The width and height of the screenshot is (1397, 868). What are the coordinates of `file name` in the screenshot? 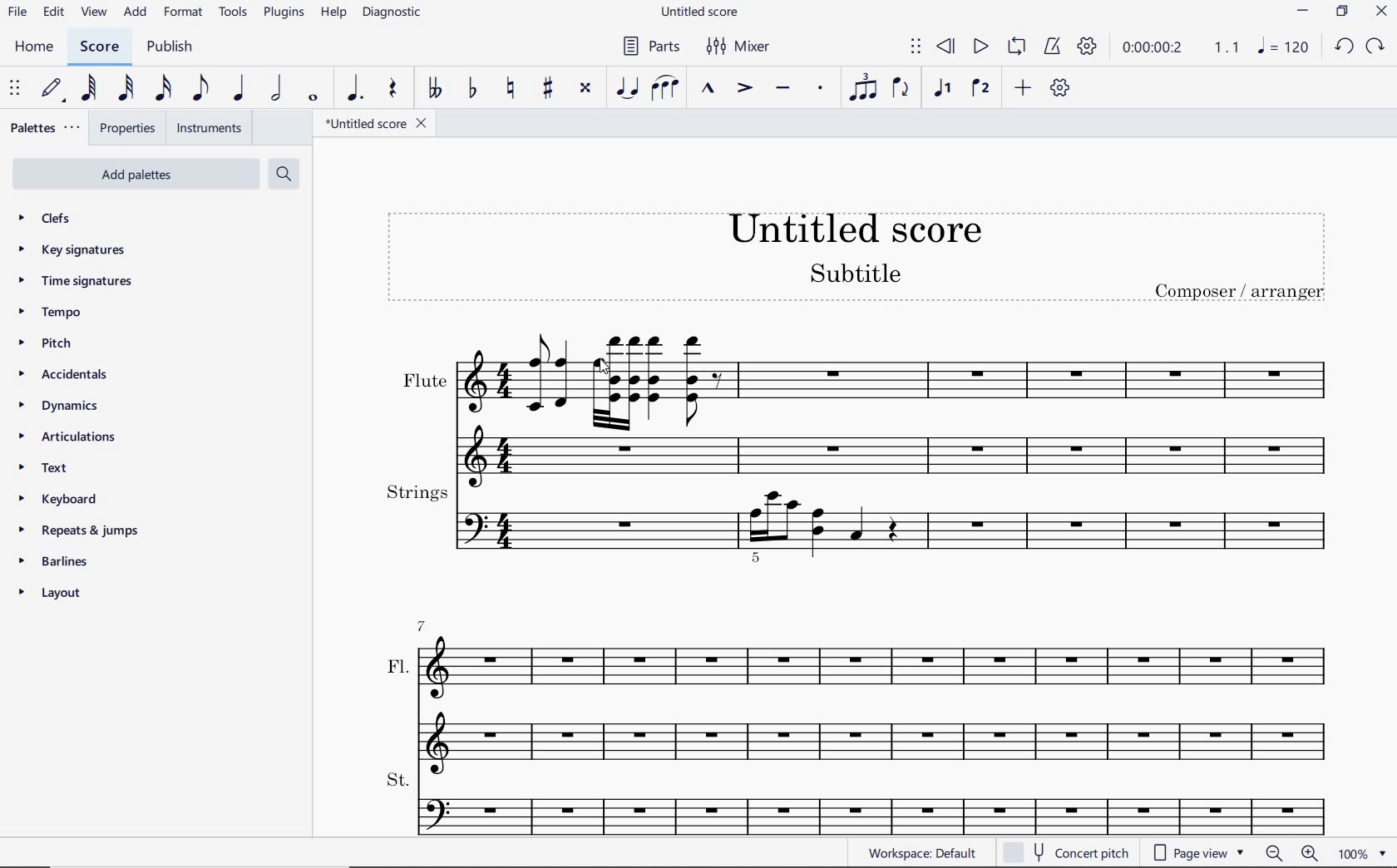 It's located at (378, 126).